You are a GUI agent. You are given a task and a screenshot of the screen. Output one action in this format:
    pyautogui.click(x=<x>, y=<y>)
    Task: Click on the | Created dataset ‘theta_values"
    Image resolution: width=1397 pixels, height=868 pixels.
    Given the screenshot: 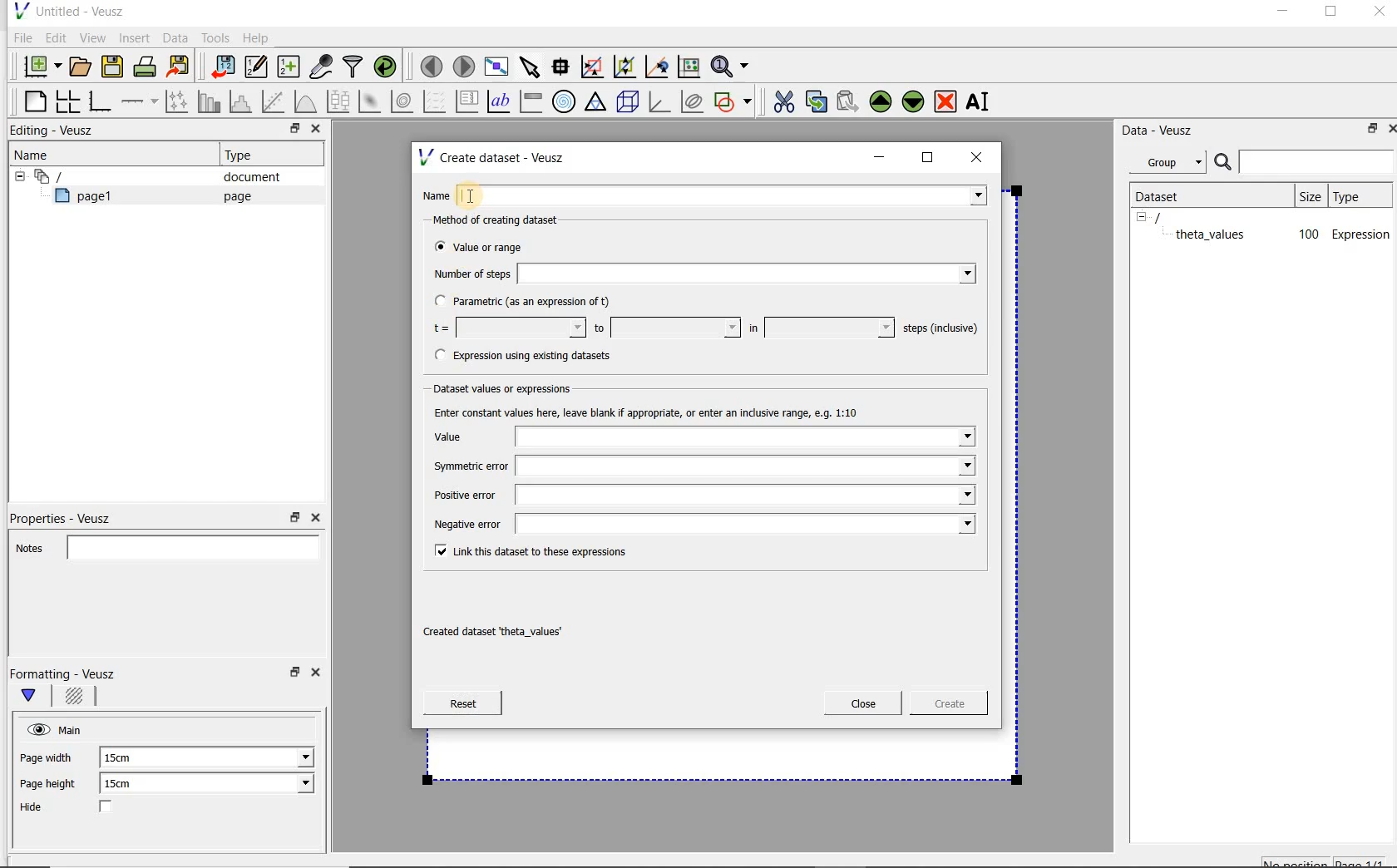 What is the action you would take?
    pyautogui.click(x=511, y=633)
    